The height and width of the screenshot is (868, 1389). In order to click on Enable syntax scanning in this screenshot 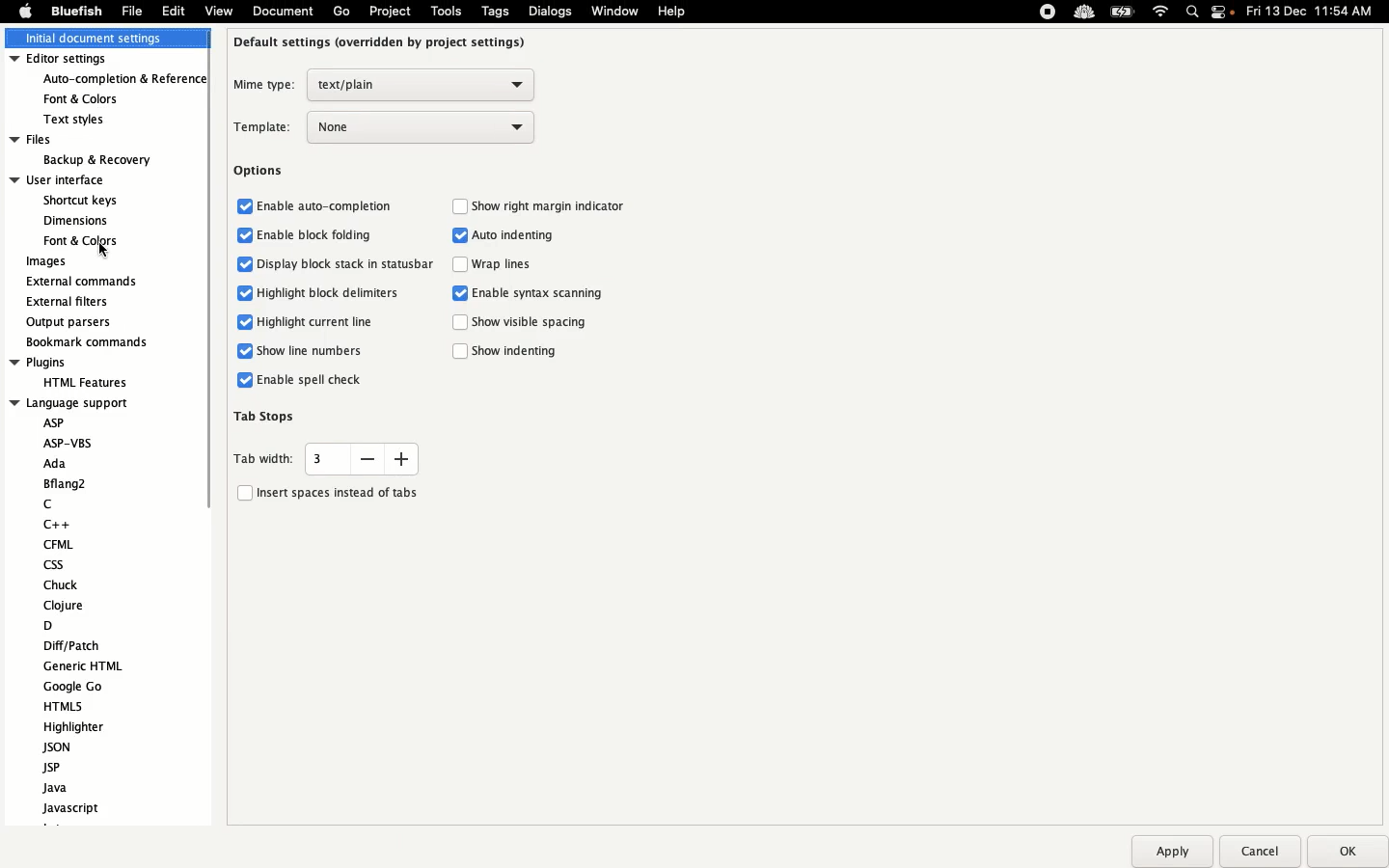, I will do `click(532, 294)`.